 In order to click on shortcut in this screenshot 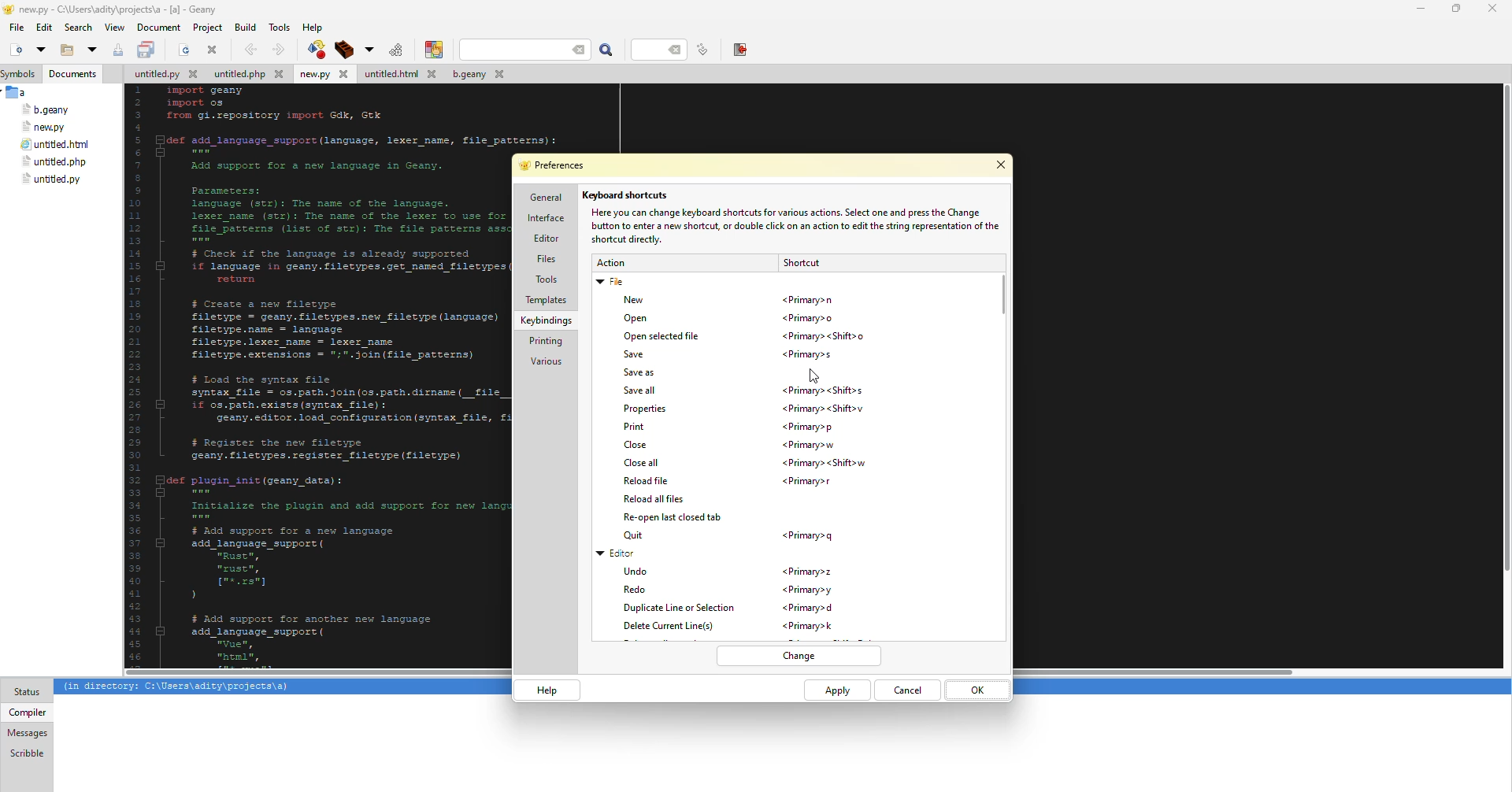, I will do `click(810, 590)`.